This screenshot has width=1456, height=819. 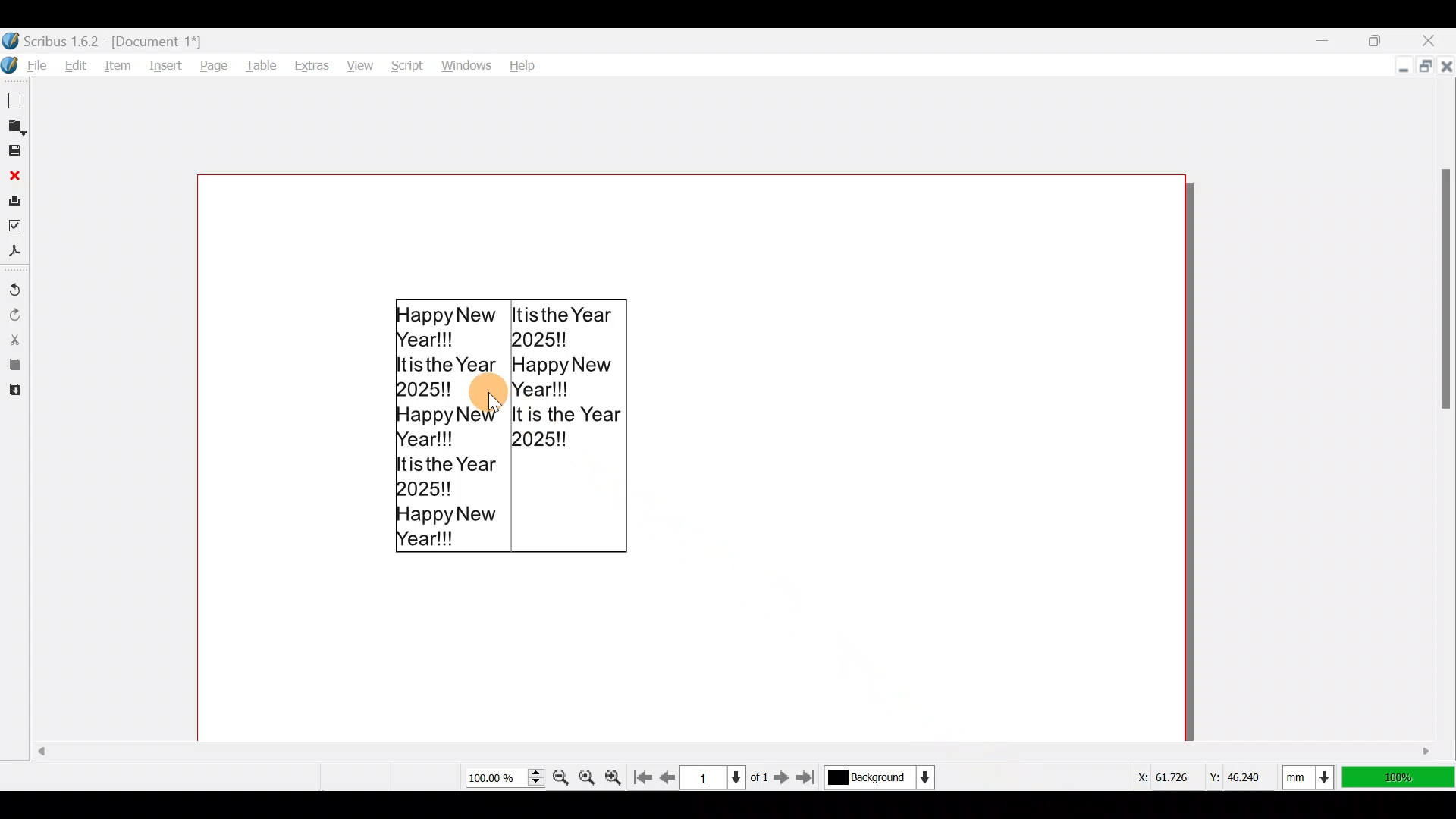 What do you see at coordinates (15, 313) in the screenshot?
I see `Redo` at bounding box center [15, 313].